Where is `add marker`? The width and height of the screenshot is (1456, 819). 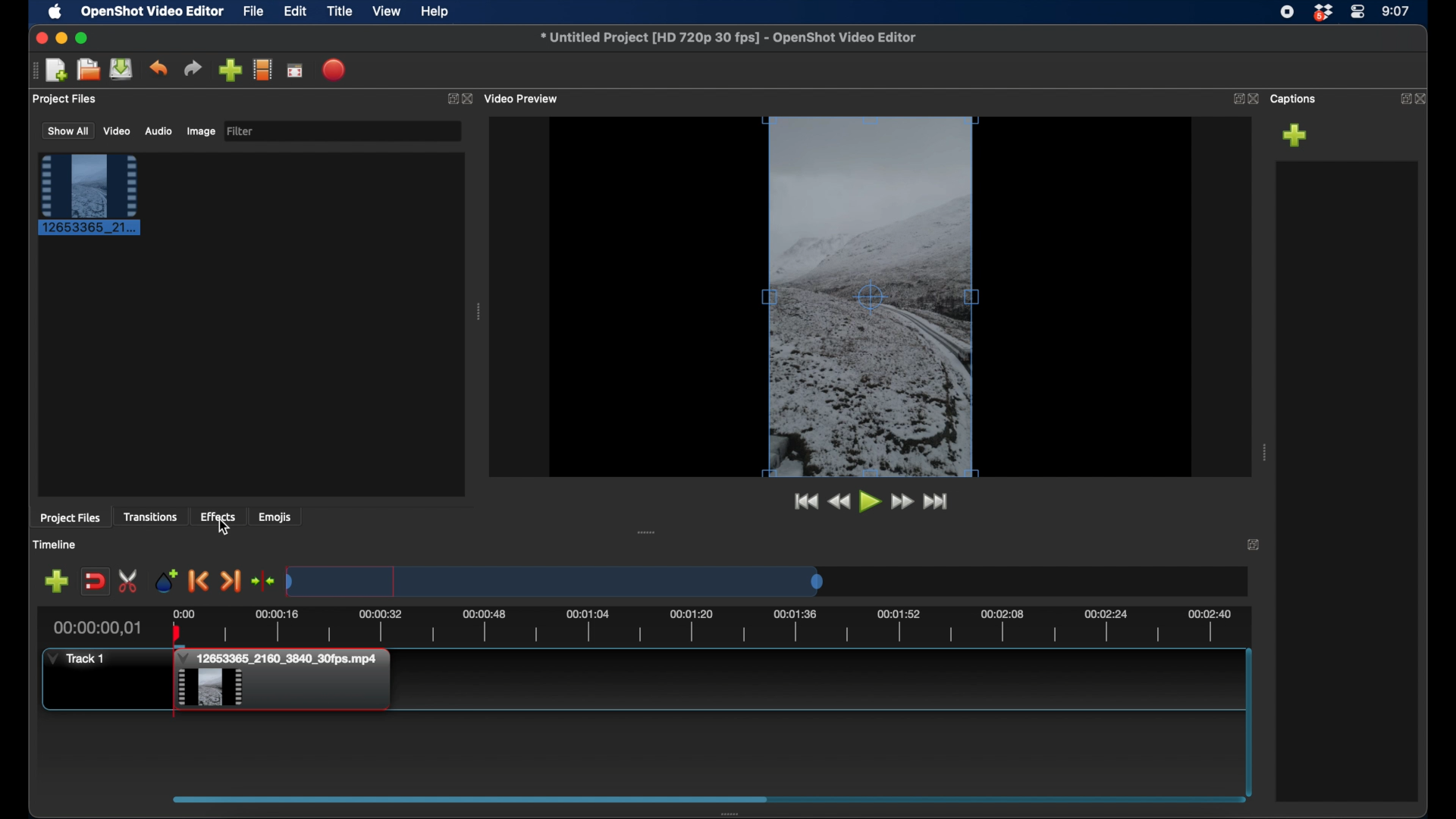 add marker is located at coordinates (168, 581).